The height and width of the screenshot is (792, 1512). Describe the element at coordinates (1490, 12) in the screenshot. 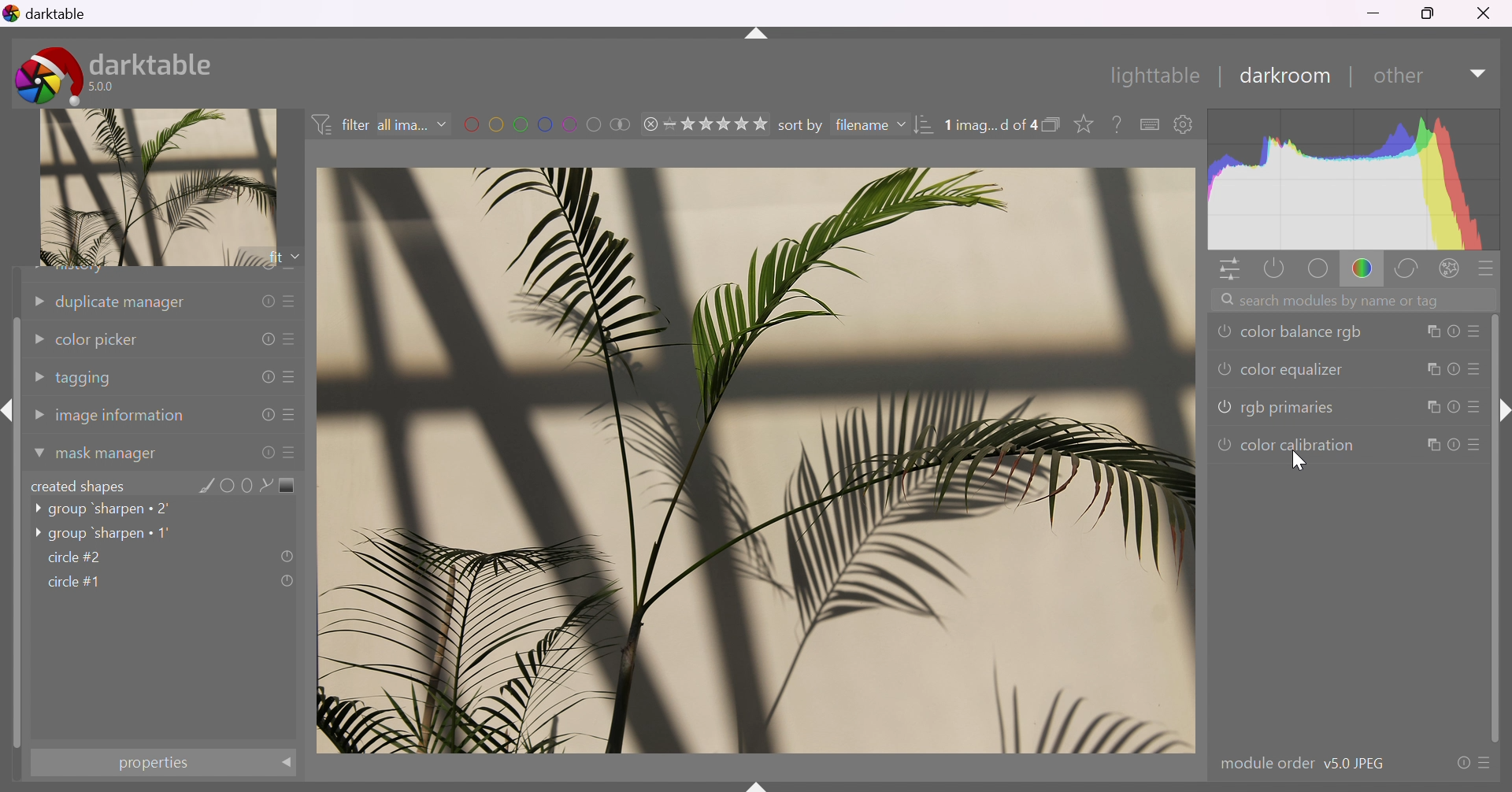

I see `close` at that location.